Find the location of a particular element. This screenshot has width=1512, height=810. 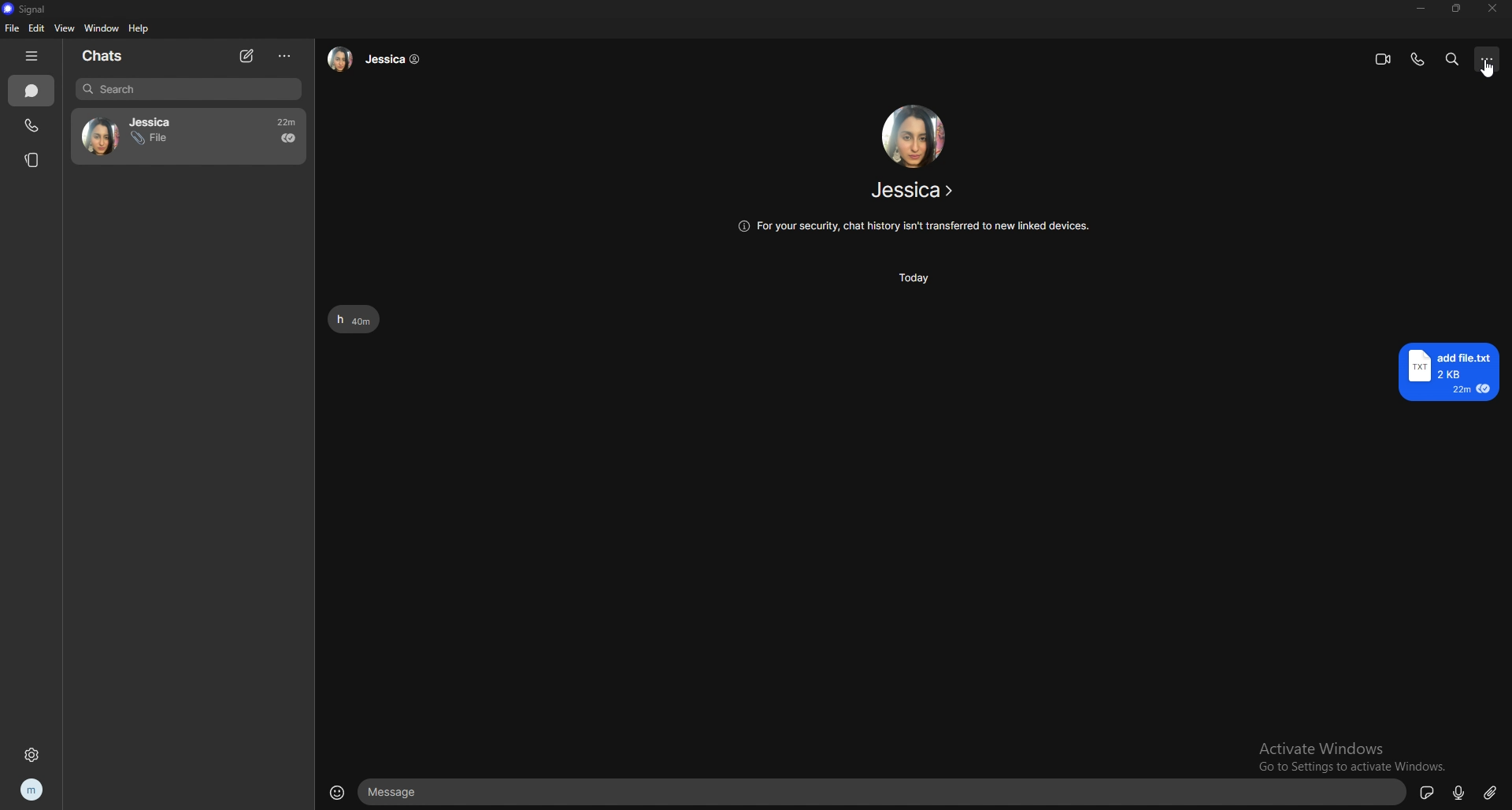

h 40 is located at coordinates (360, 318).